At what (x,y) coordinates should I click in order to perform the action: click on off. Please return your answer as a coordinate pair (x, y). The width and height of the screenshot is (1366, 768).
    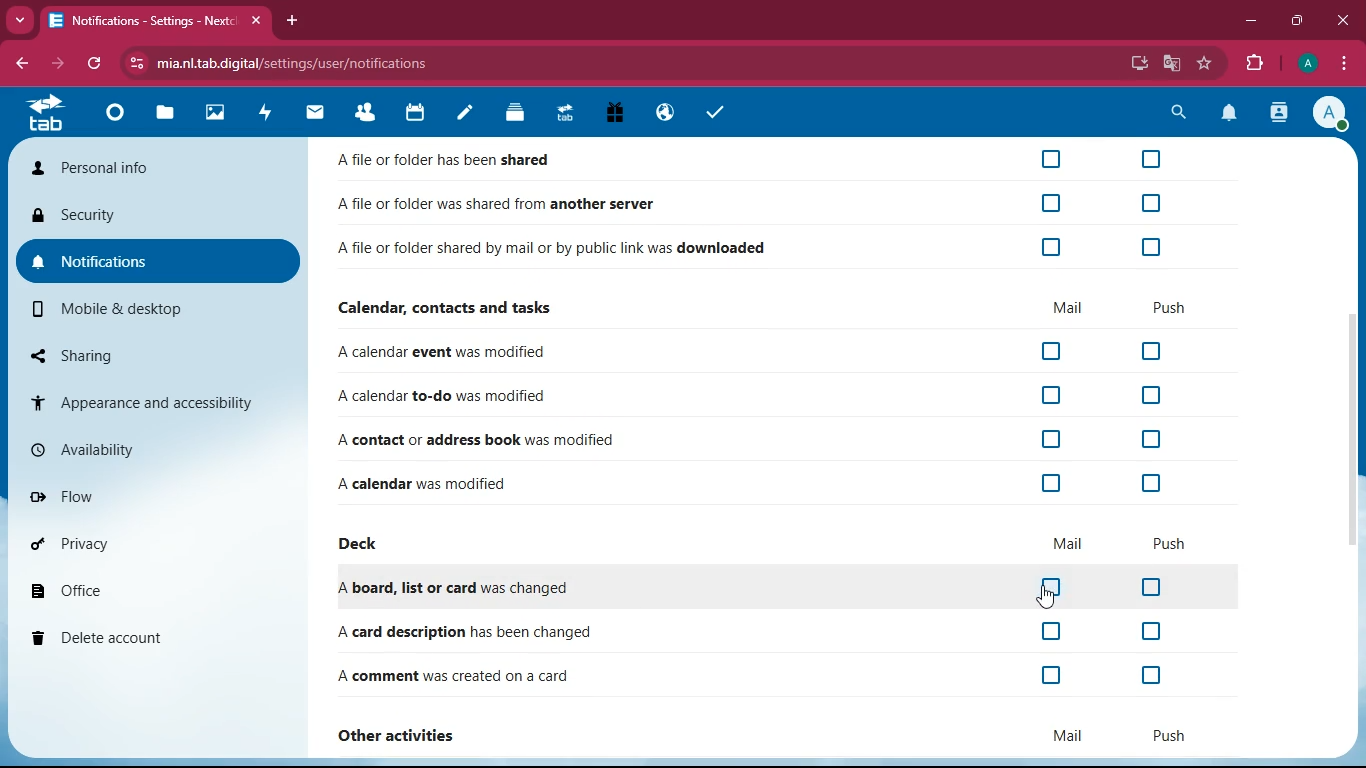
    Looking at the image, I should click on (1054, 631).